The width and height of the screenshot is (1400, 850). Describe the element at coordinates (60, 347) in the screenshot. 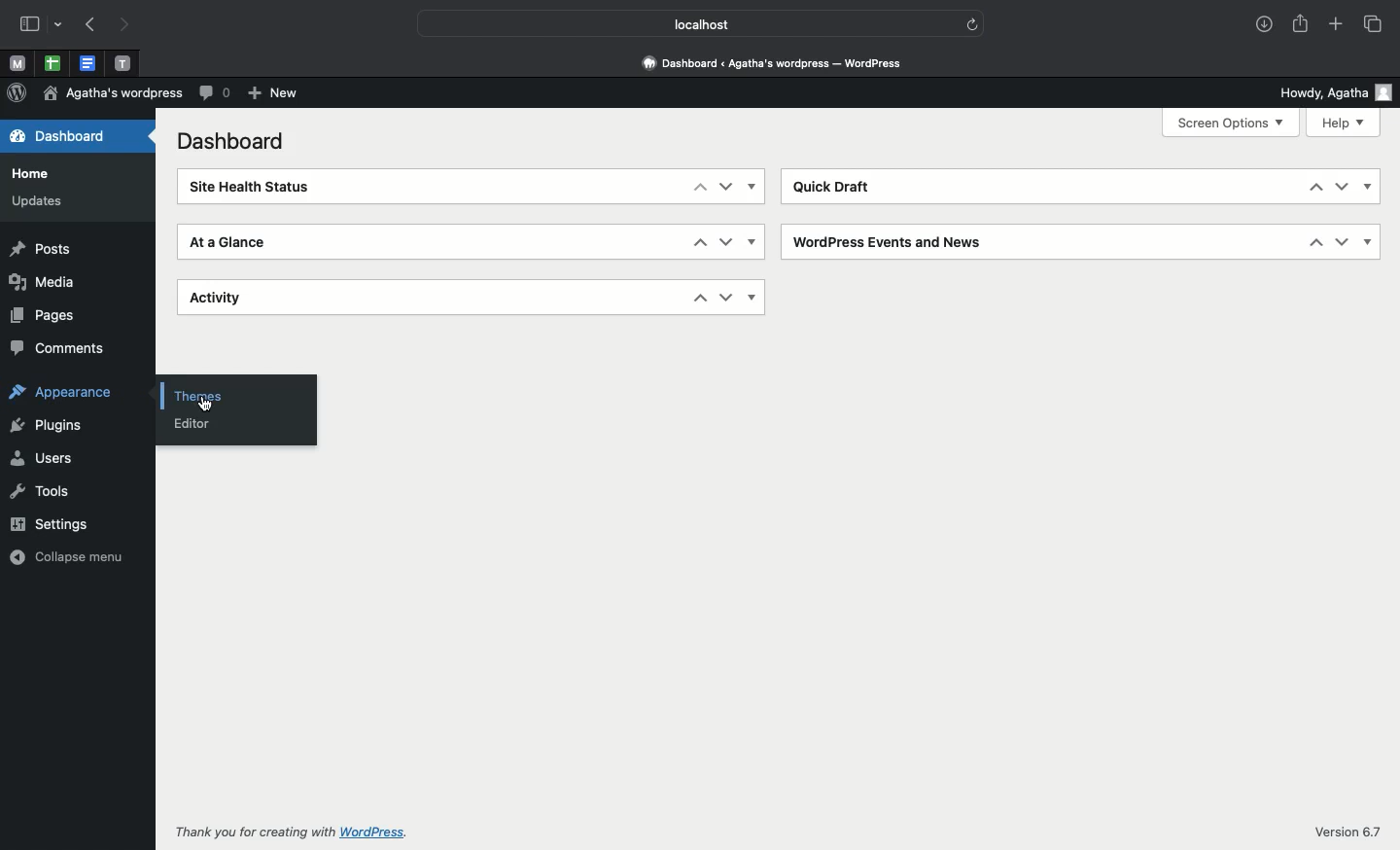

I see `Comments` at that location.